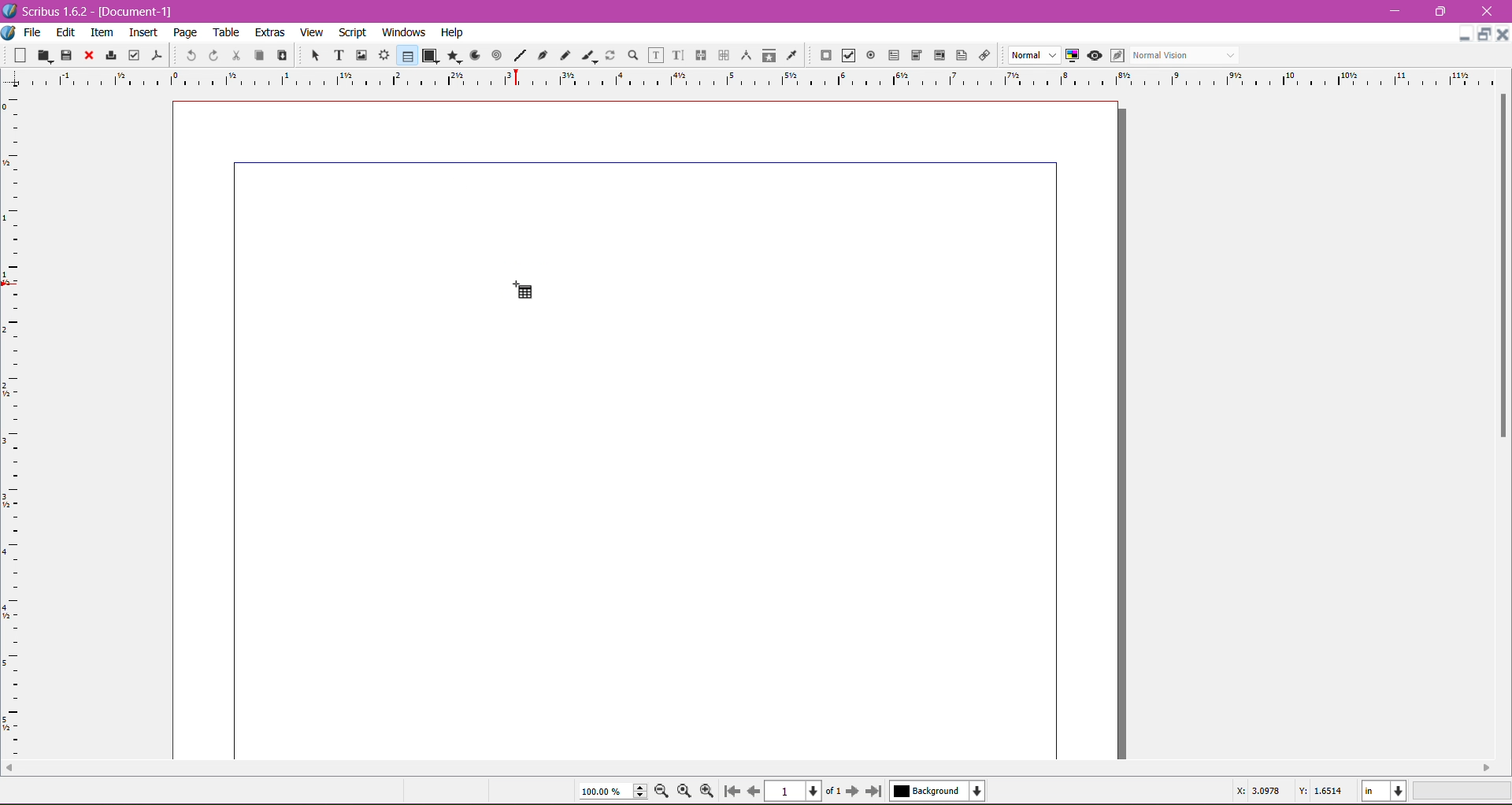 The height and width of the screenshot is (805, 1512). Describe the element at coordinates (312, 32) in the screenshot. I see `View` at that location.